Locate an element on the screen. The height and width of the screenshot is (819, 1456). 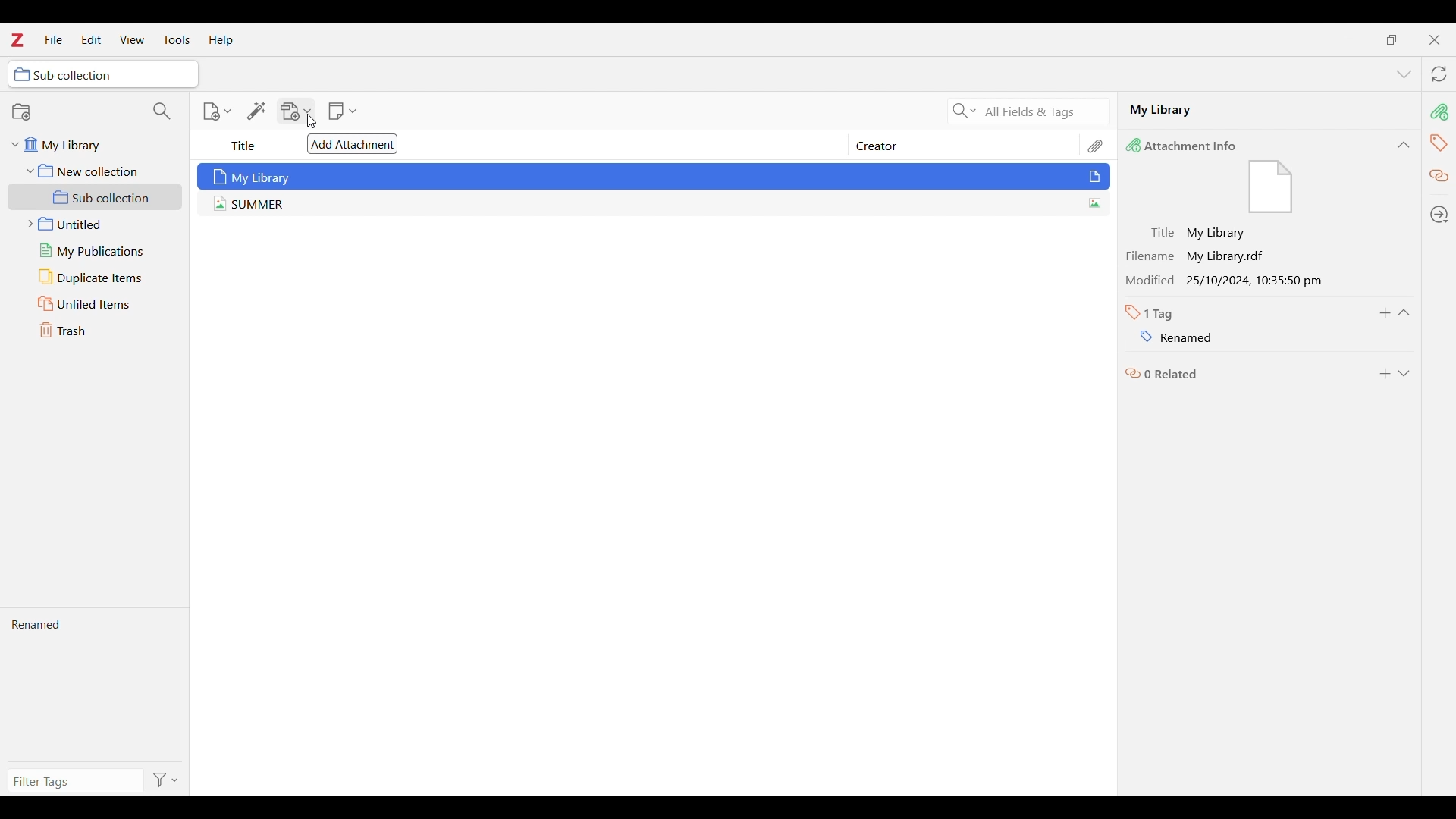
Sync with zotero.org is located at coordinates (1439, 74).